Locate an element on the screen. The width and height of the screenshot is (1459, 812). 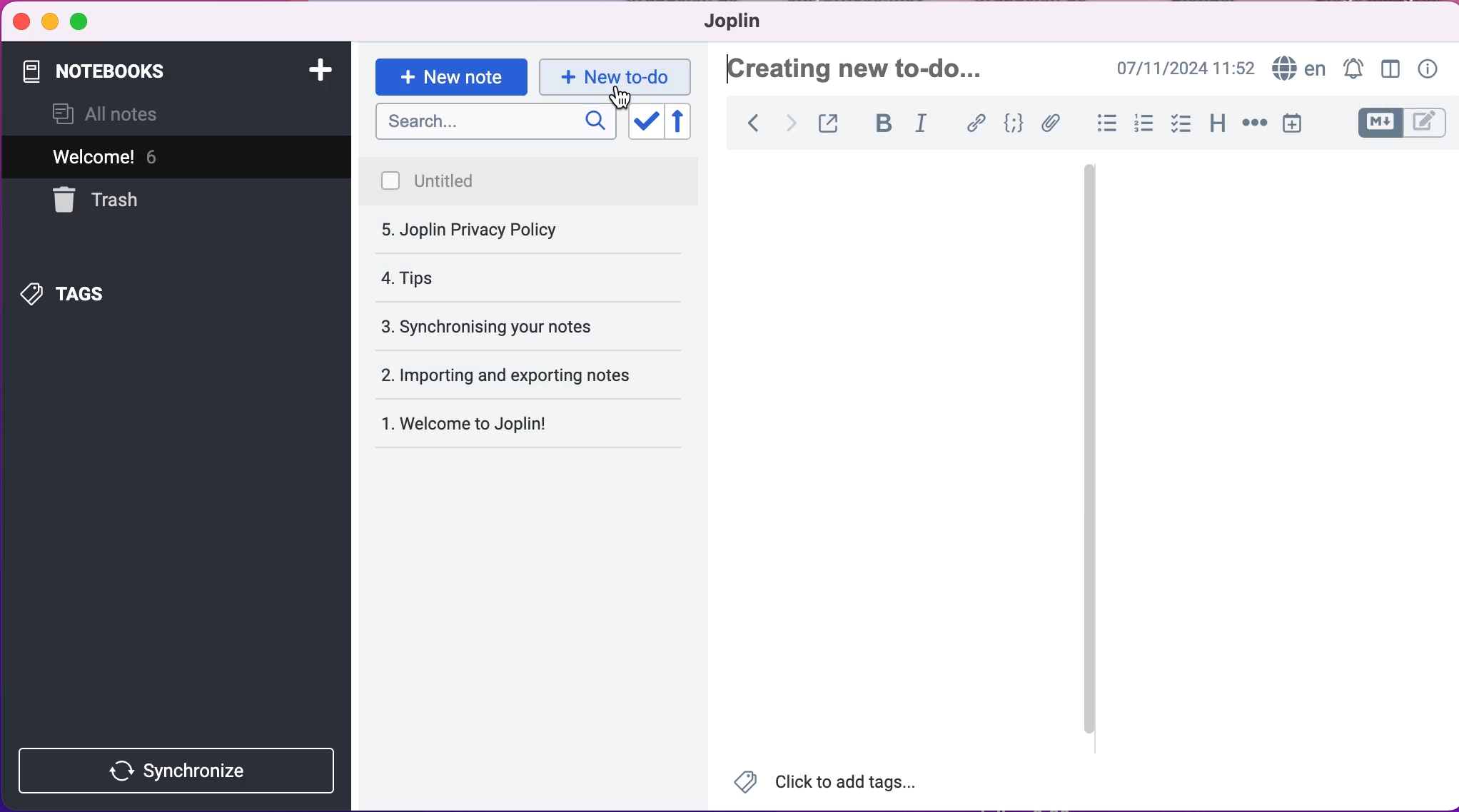
insert time is located at coordinates (1298, 126).